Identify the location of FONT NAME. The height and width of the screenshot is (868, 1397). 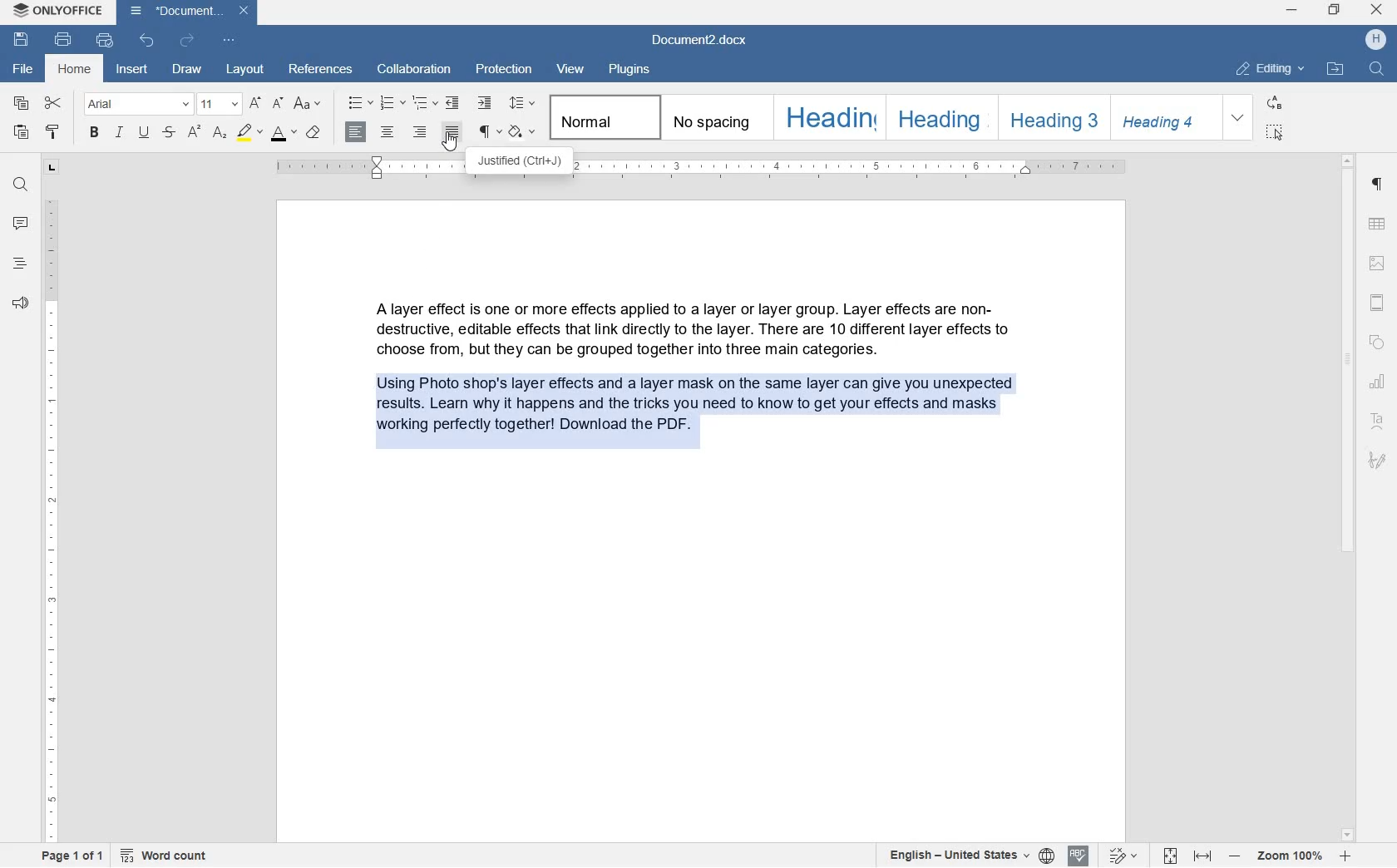
(135, 104).